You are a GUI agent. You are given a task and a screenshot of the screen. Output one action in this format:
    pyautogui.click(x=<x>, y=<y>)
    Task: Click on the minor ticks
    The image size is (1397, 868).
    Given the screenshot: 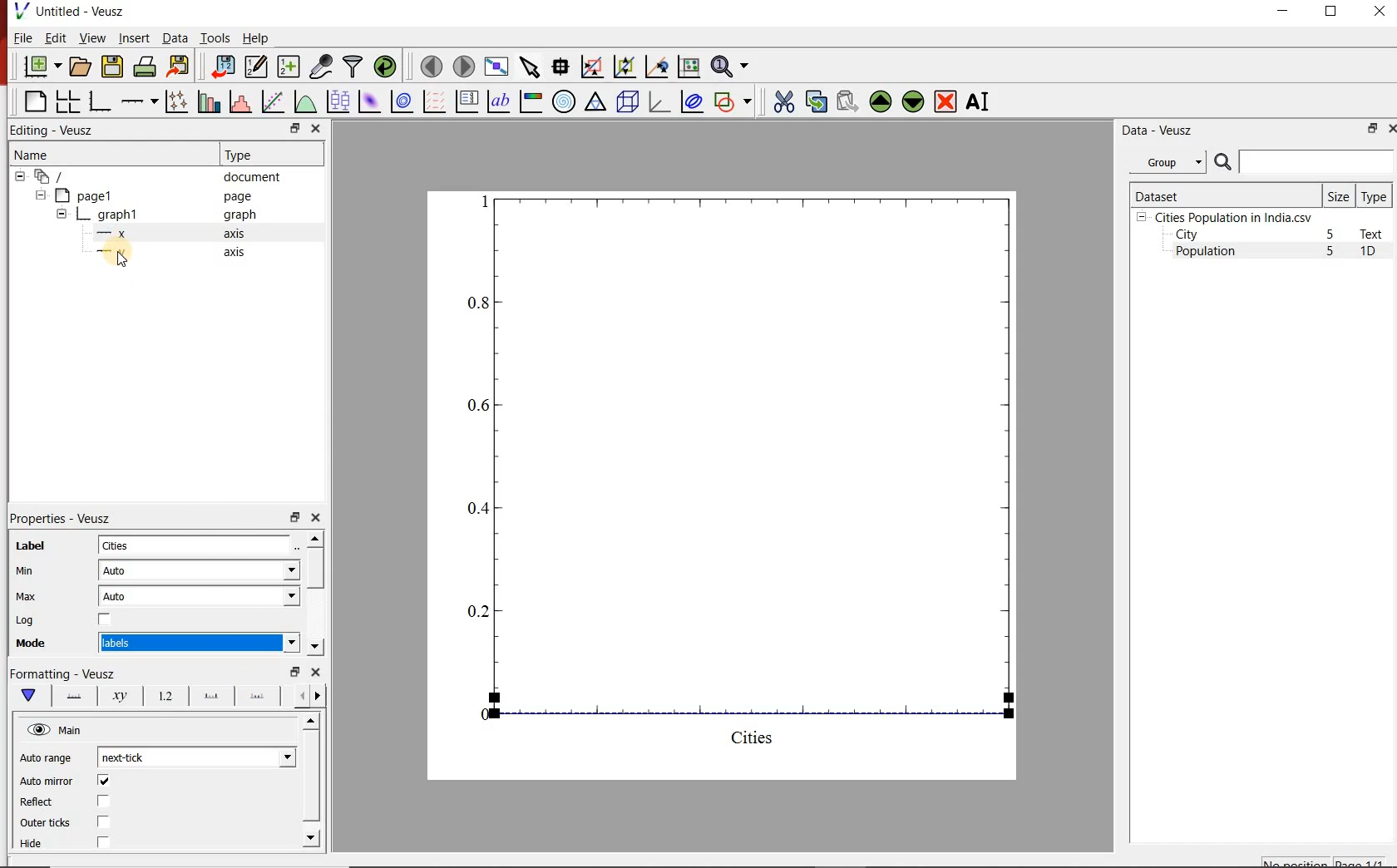 What is the action you would take?
    pyautogui.click(x=258, y=697)
    